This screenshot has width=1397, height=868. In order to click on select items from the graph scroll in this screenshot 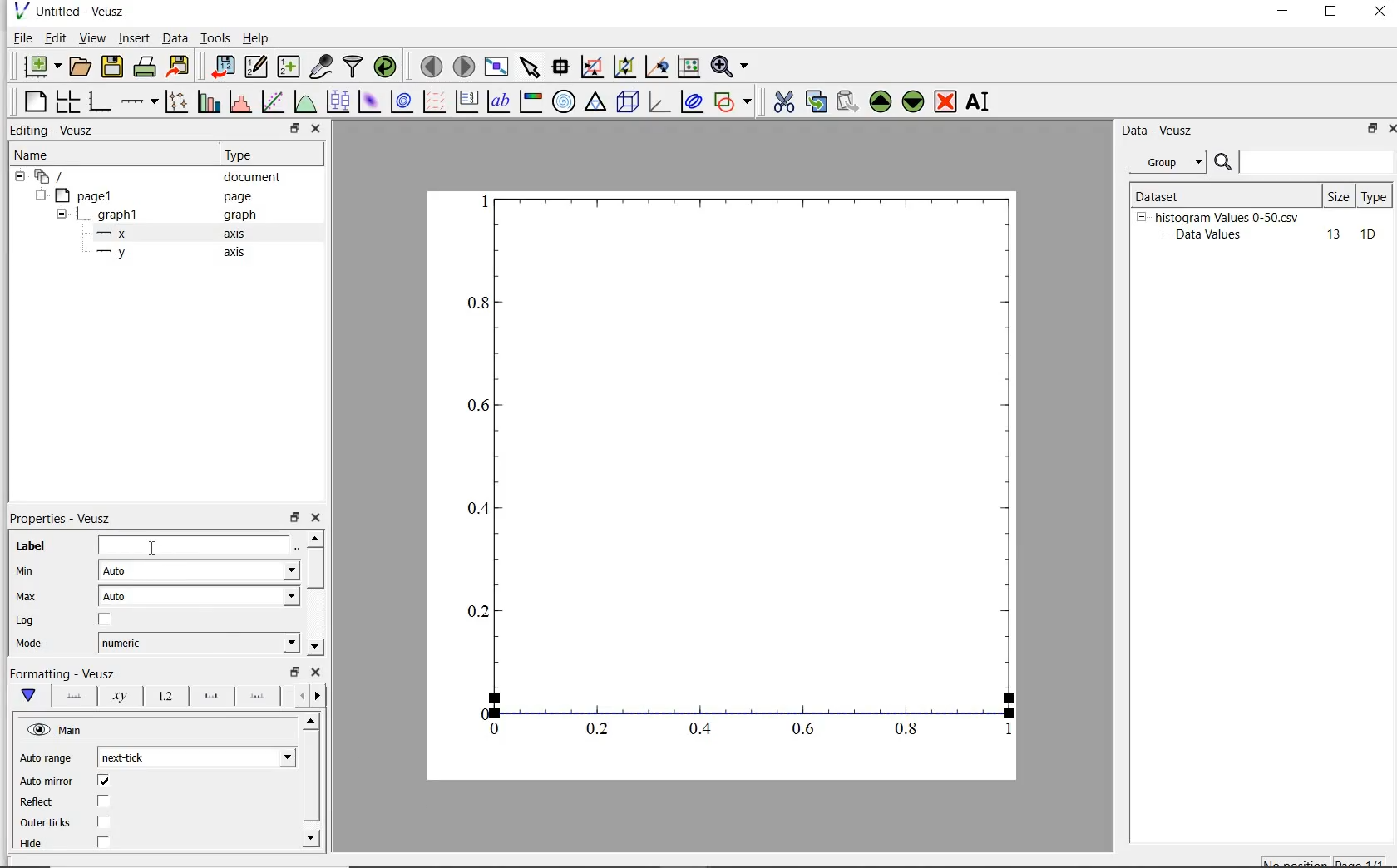, I will do `click(531, 65)`.